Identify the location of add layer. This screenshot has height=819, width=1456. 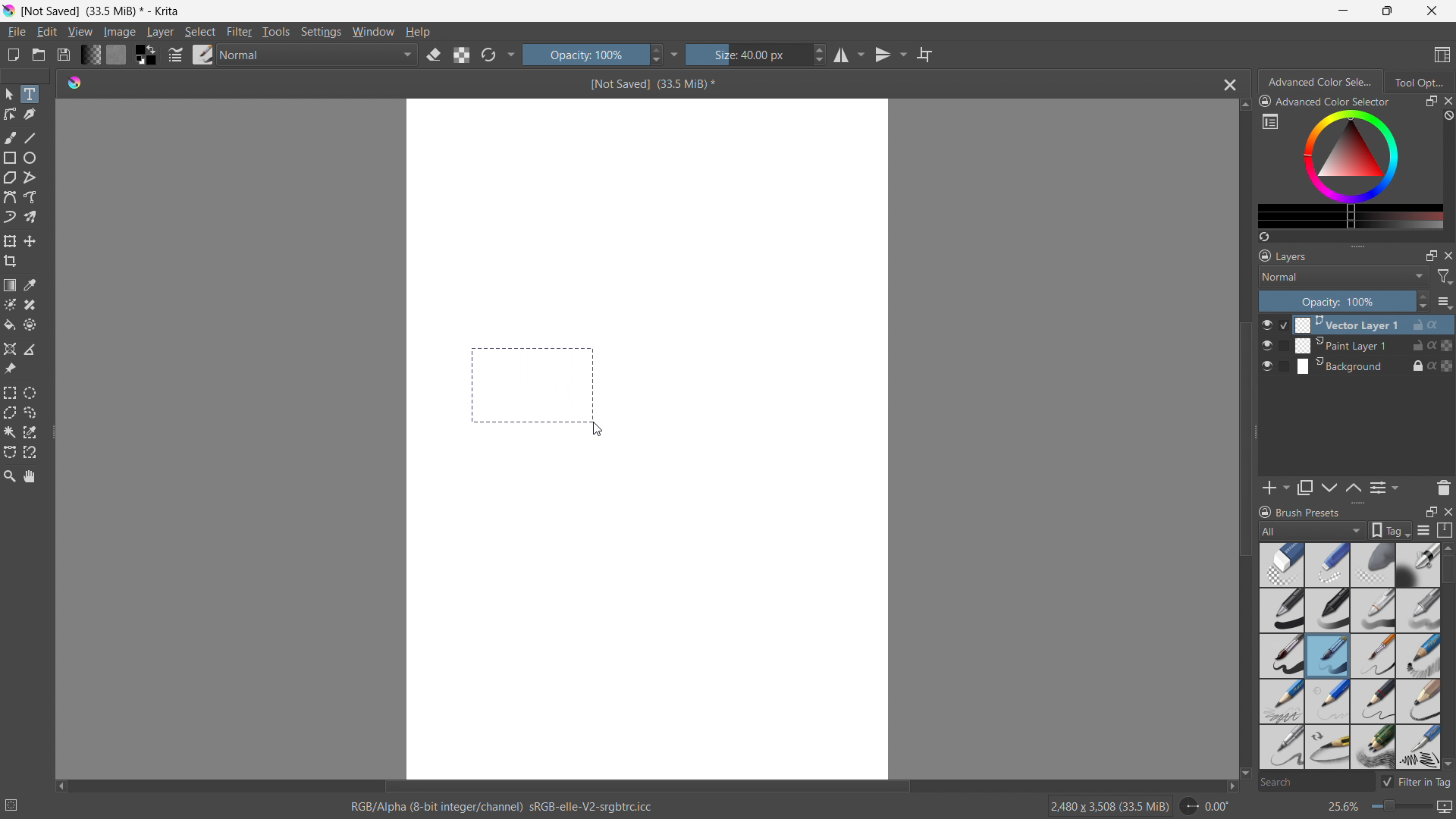
(1276, 488).